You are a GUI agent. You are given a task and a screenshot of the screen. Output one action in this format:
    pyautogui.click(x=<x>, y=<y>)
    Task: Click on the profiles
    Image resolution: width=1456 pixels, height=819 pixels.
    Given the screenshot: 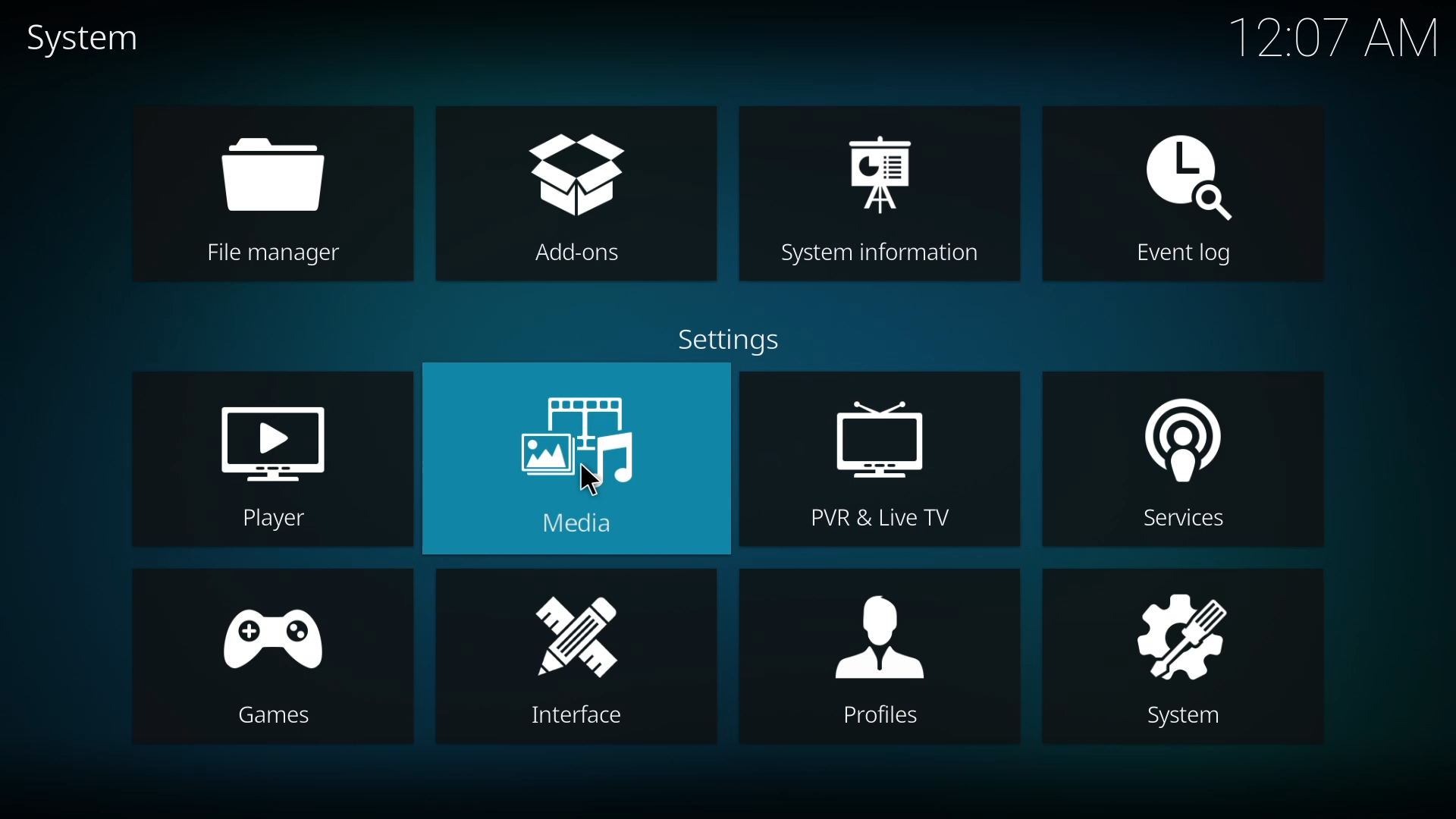 What is the action you would take?
    pyautogui.click(x=880, y=657)
    